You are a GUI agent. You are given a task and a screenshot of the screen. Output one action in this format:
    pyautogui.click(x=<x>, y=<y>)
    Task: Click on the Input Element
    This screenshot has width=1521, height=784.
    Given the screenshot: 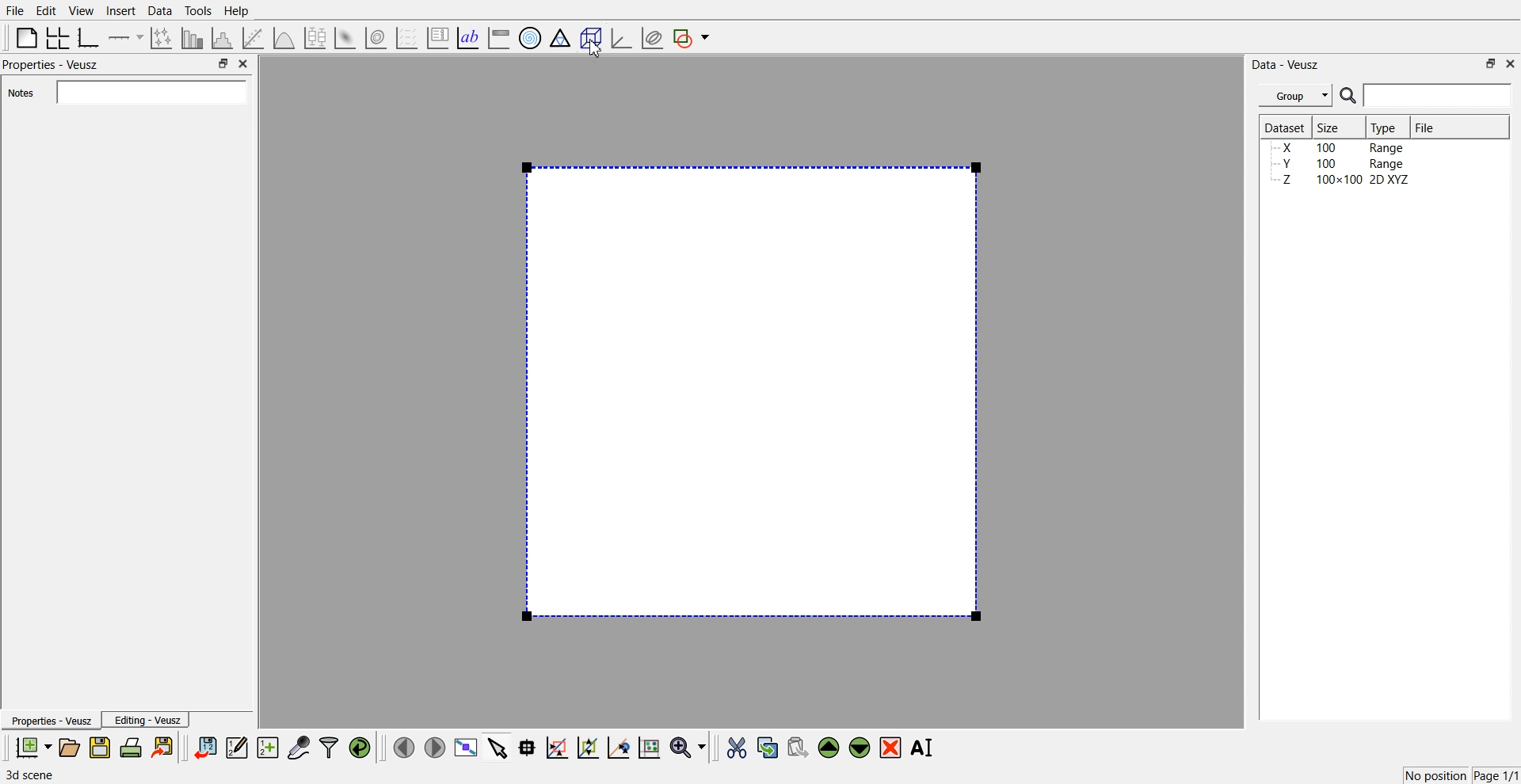 What is the action you would take?
    pyautogui.click(x=150, y=93)
    